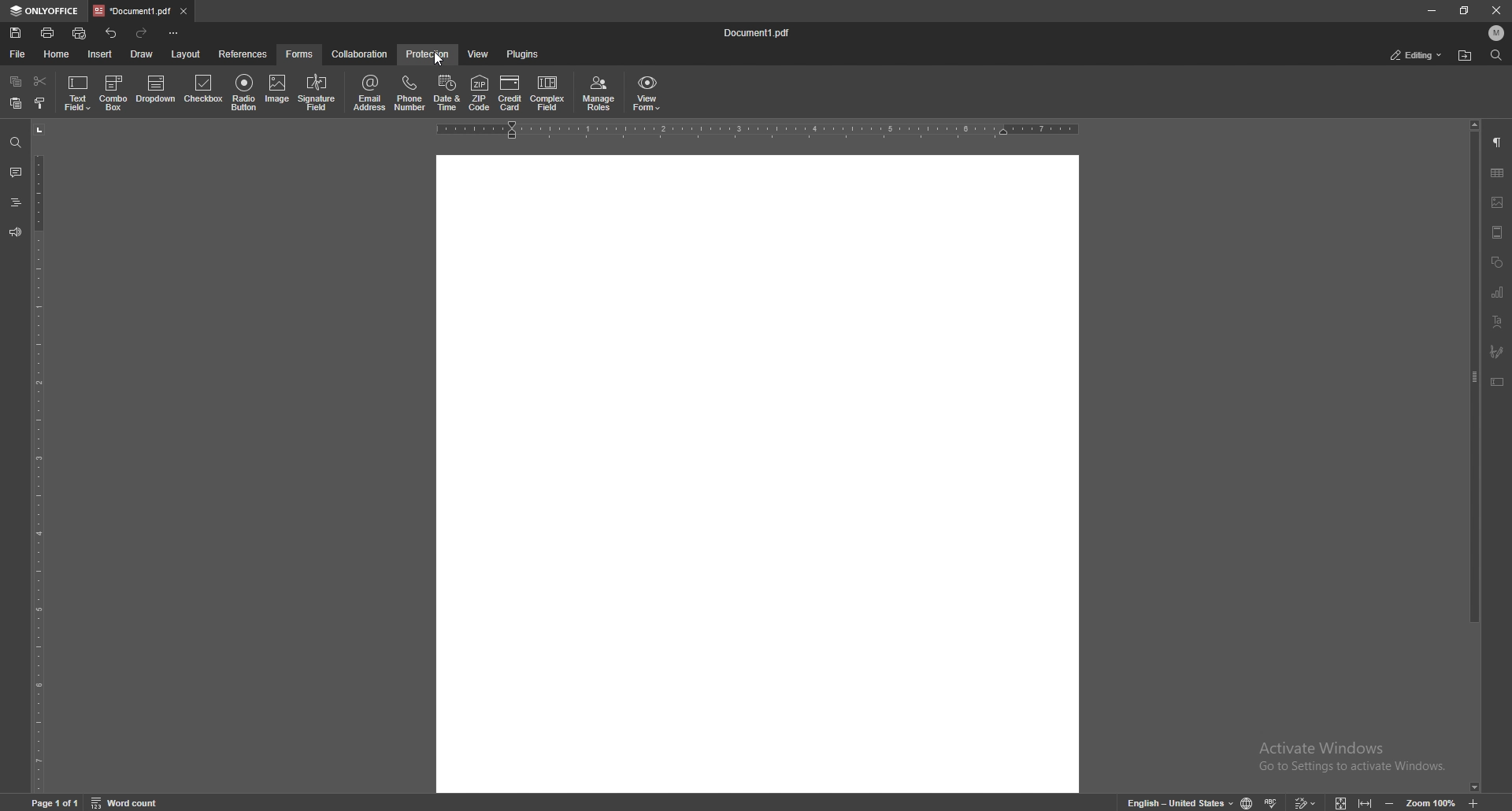 The image size is (1512, 811). What do you see at coordinates (409, 93) in the screenshot?
I see `phone number` at bounding box center [409, 93].